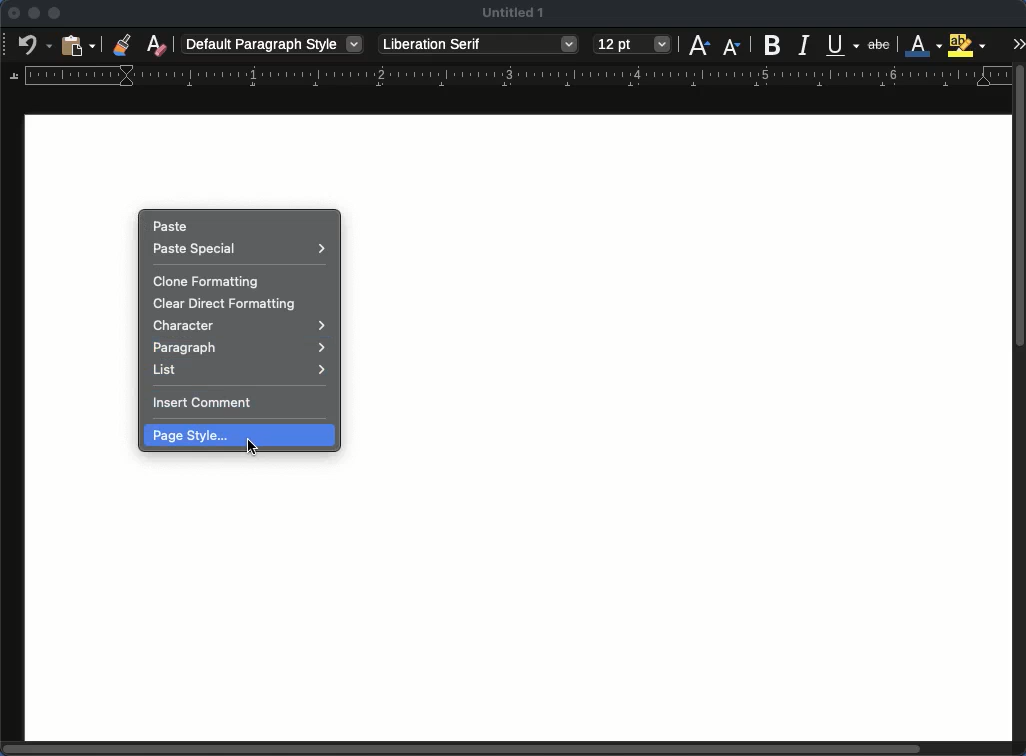 Image resolution: width=1026 pixels, height=756 pixels. What do you see at coordinates (55, 13) in the screenshot?
I see `maximize` at bounding box center [55, 13].